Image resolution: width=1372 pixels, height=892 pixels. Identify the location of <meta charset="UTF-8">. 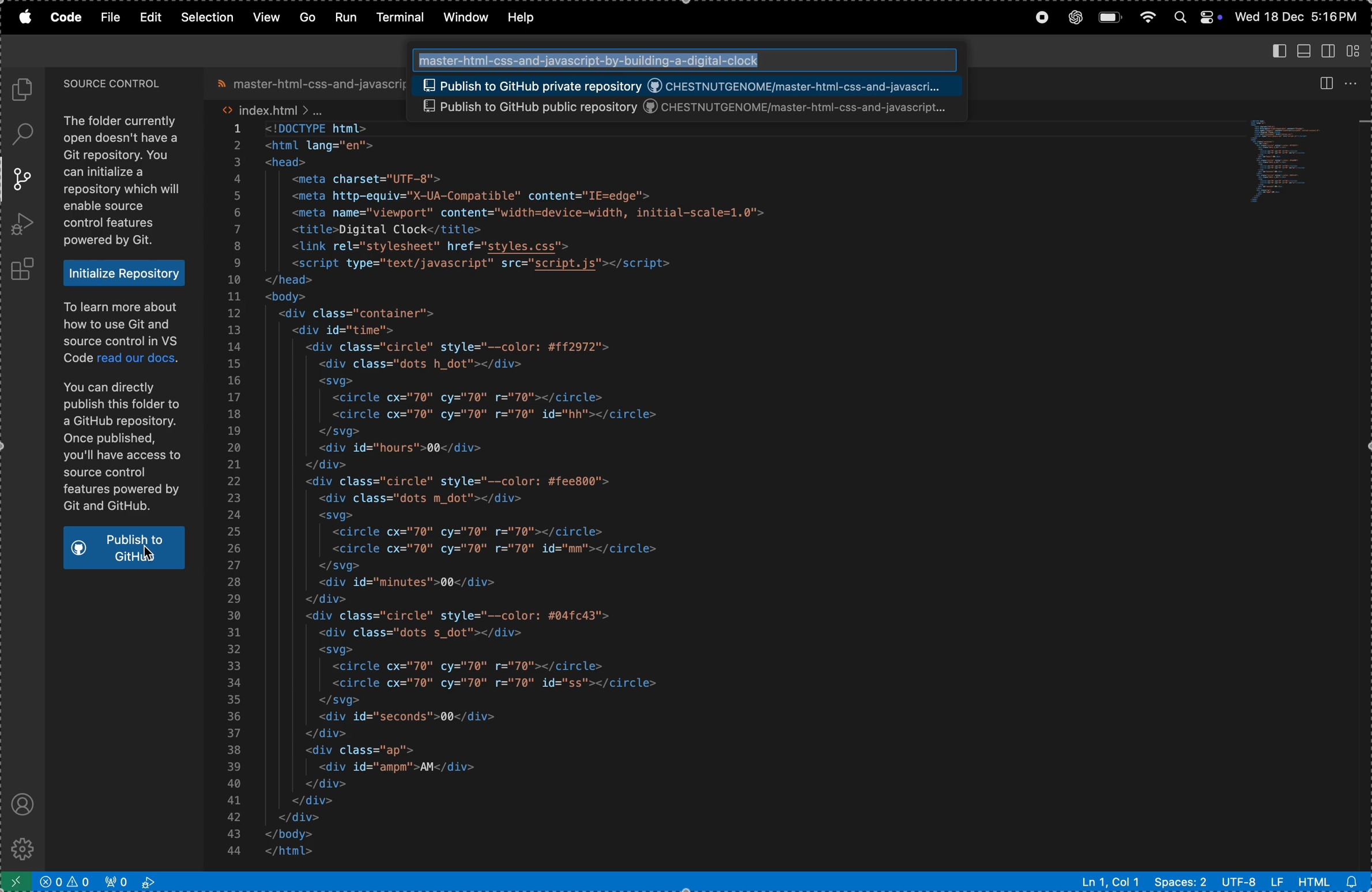
(379, 180).